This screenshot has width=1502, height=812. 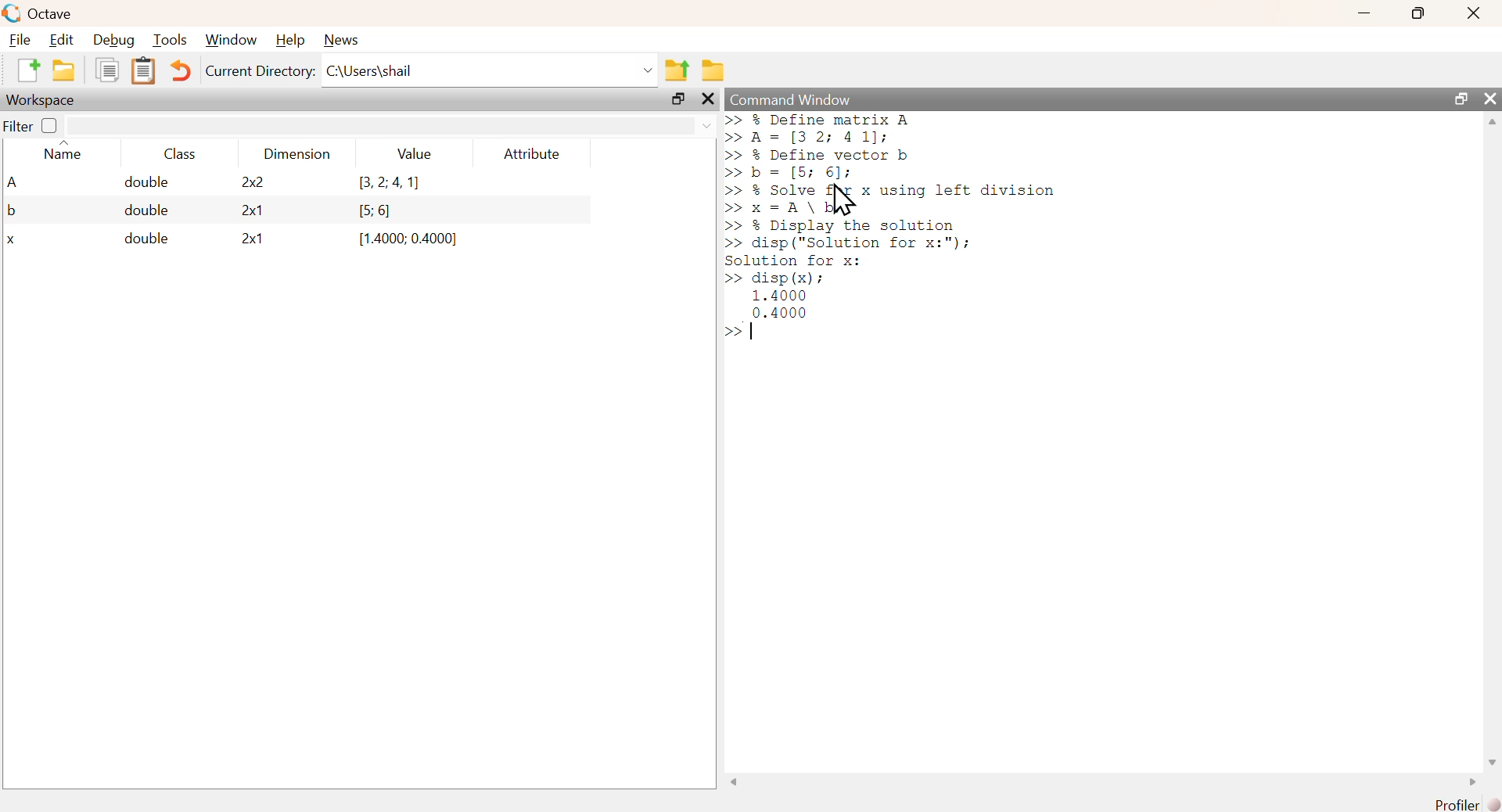 What do you see at coordinates (243, 183) in the screenshot?
I see `2x2` at bounding box center [243, 183].